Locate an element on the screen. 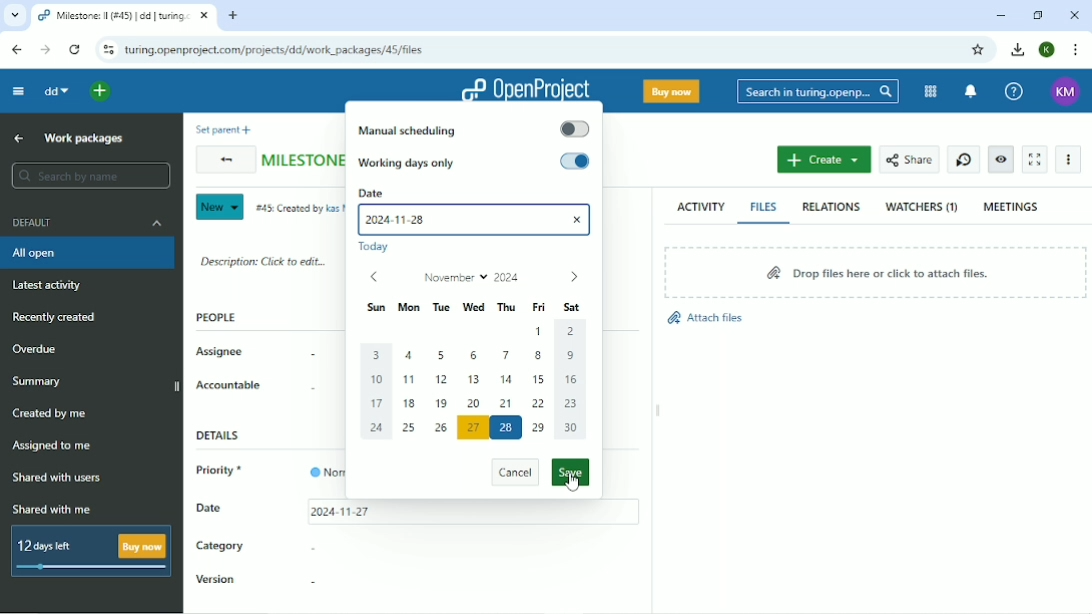 The image size is (1092, 614). Shared with me is located at coordinates (55, 509).